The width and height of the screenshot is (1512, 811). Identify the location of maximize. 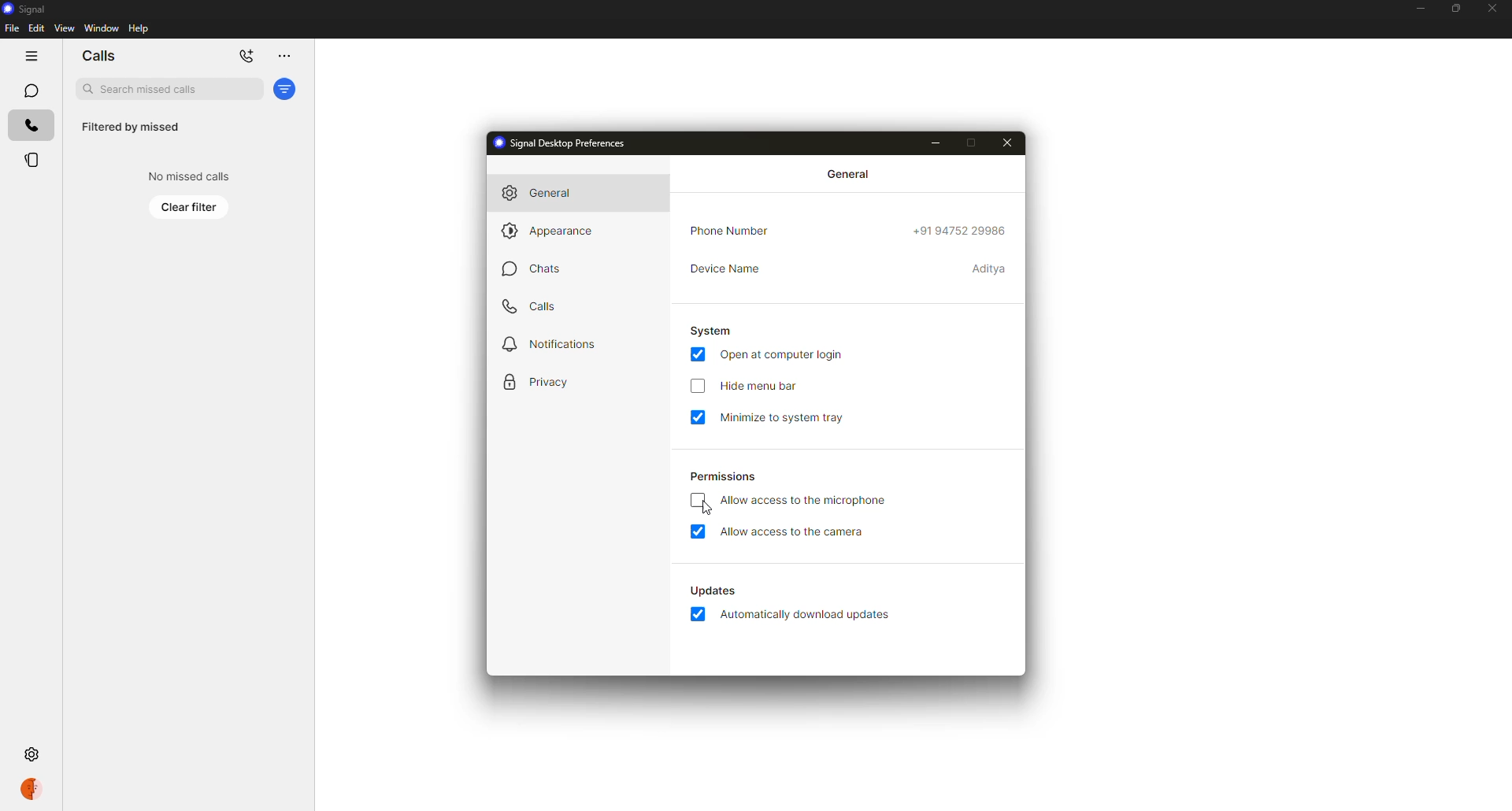
(1454, 9).